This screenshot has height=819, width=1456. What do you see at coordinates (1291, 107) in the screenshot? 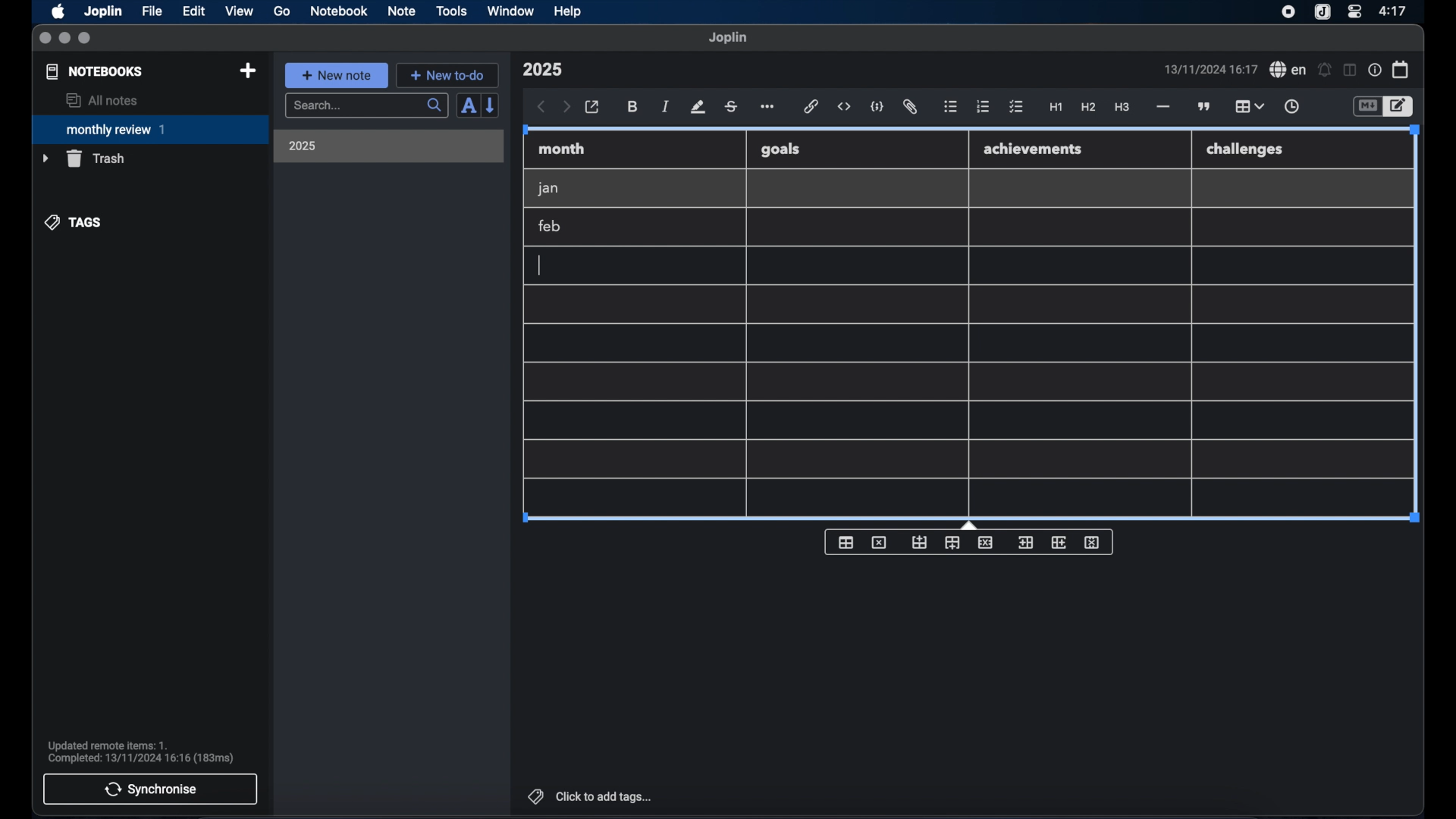
I see `insert time` at bounding box center [1291, 107].